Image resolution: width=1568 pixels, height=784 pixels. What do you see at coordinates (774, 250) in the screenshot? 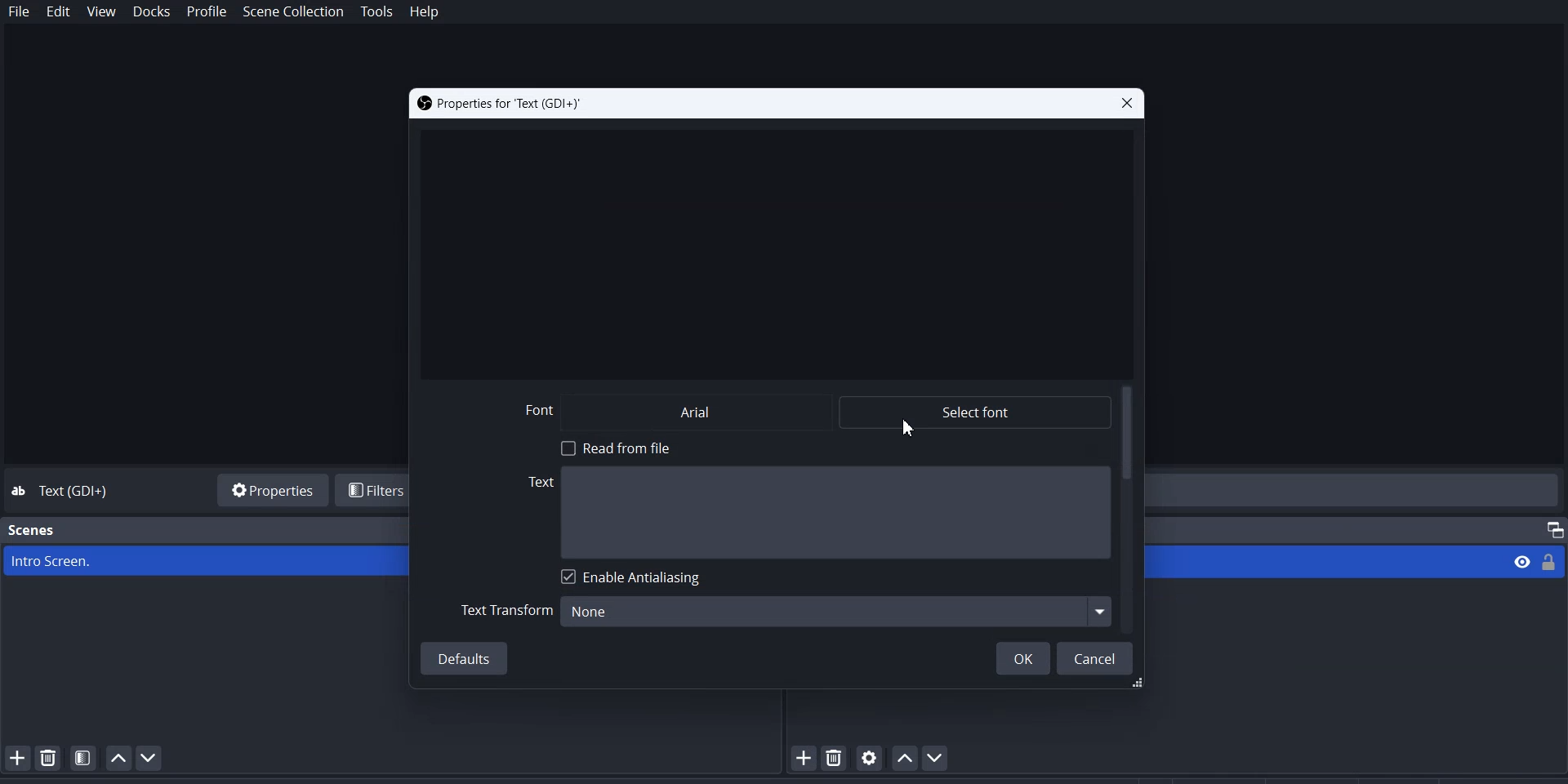
I see `Preview Window` at bounding box center [774, 250].